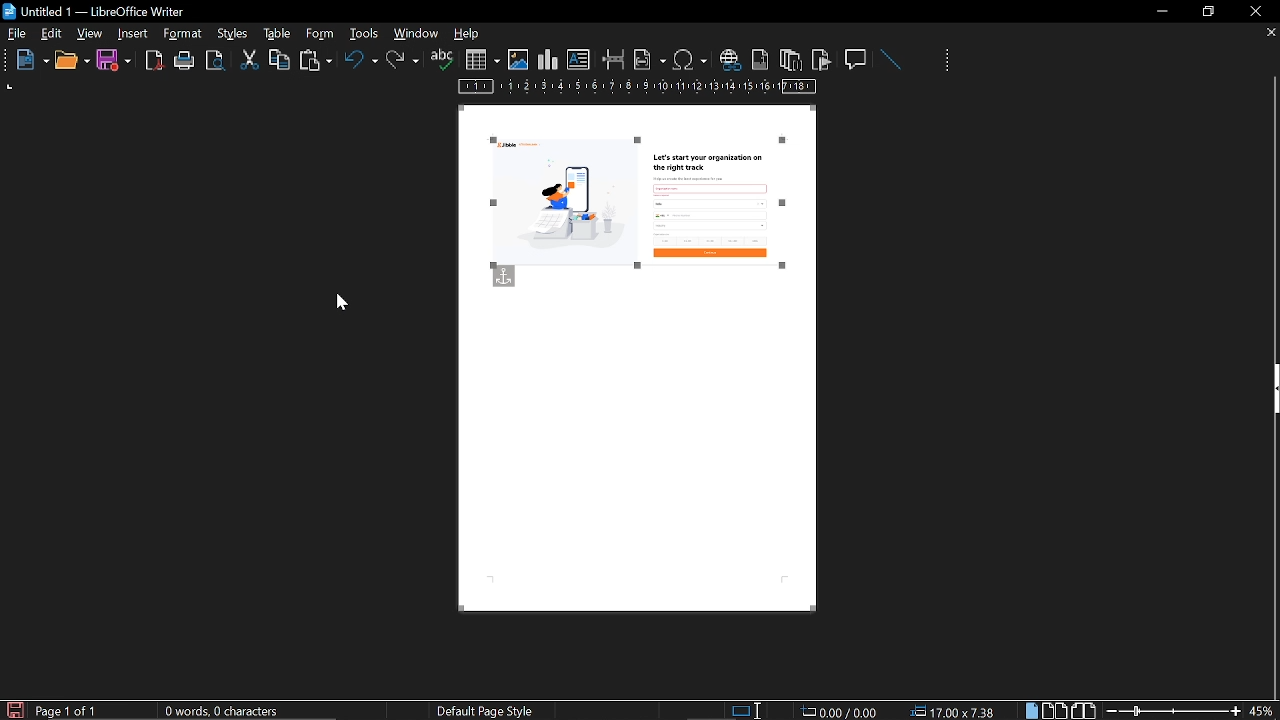 The width and height of the screenshot is (1280, 720). What do you see at coordinates (1254, 11) in the screenshot?
I see `close` at bounding box center [1254, 11].